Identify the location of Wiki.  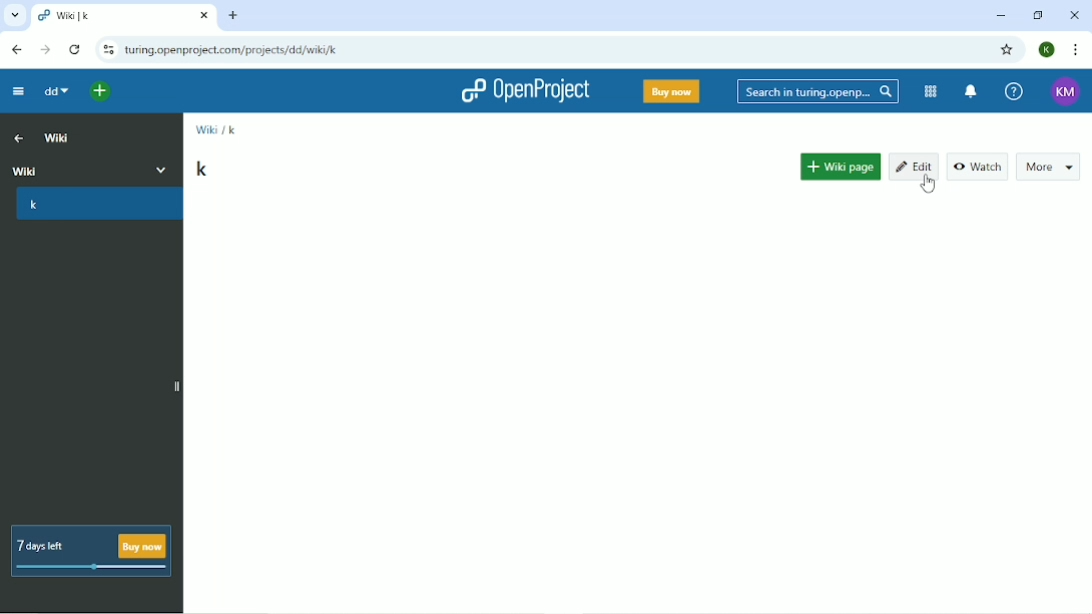
(58, 137).